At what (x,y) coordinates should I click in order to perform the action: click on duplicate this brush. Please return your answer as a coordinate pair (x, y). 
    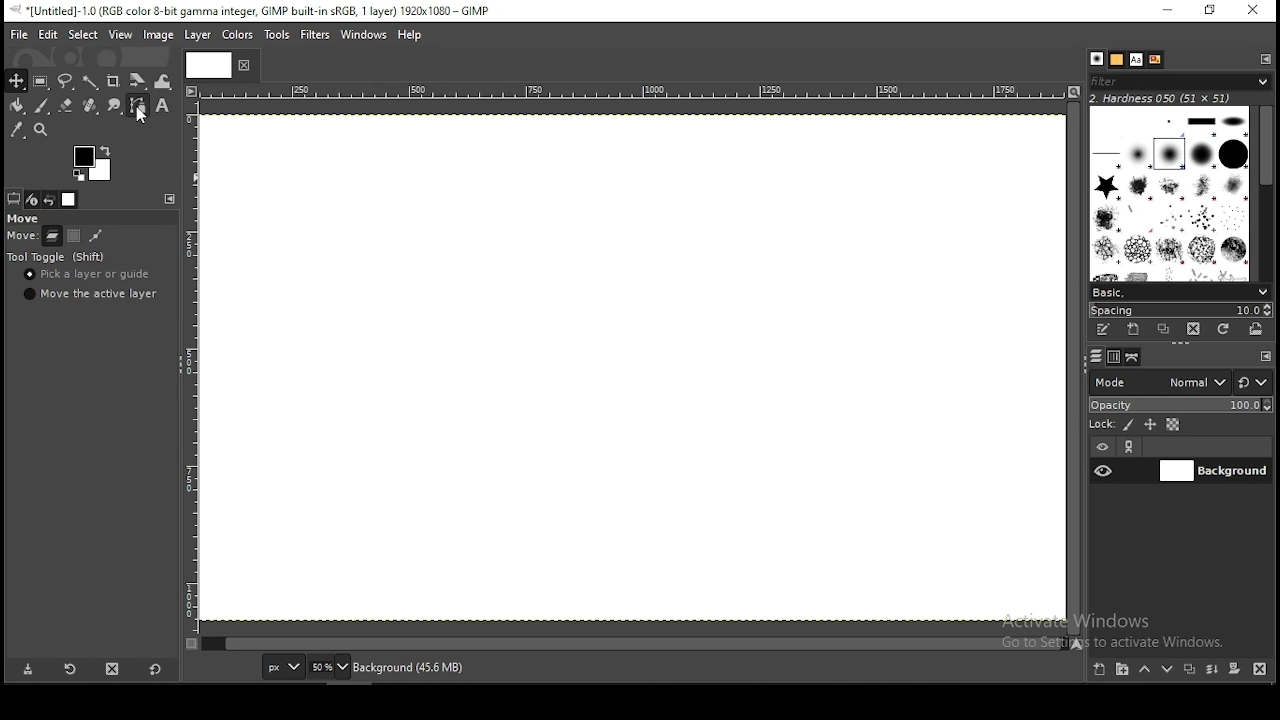
    Looking at the image, I should click on (1164, 329).